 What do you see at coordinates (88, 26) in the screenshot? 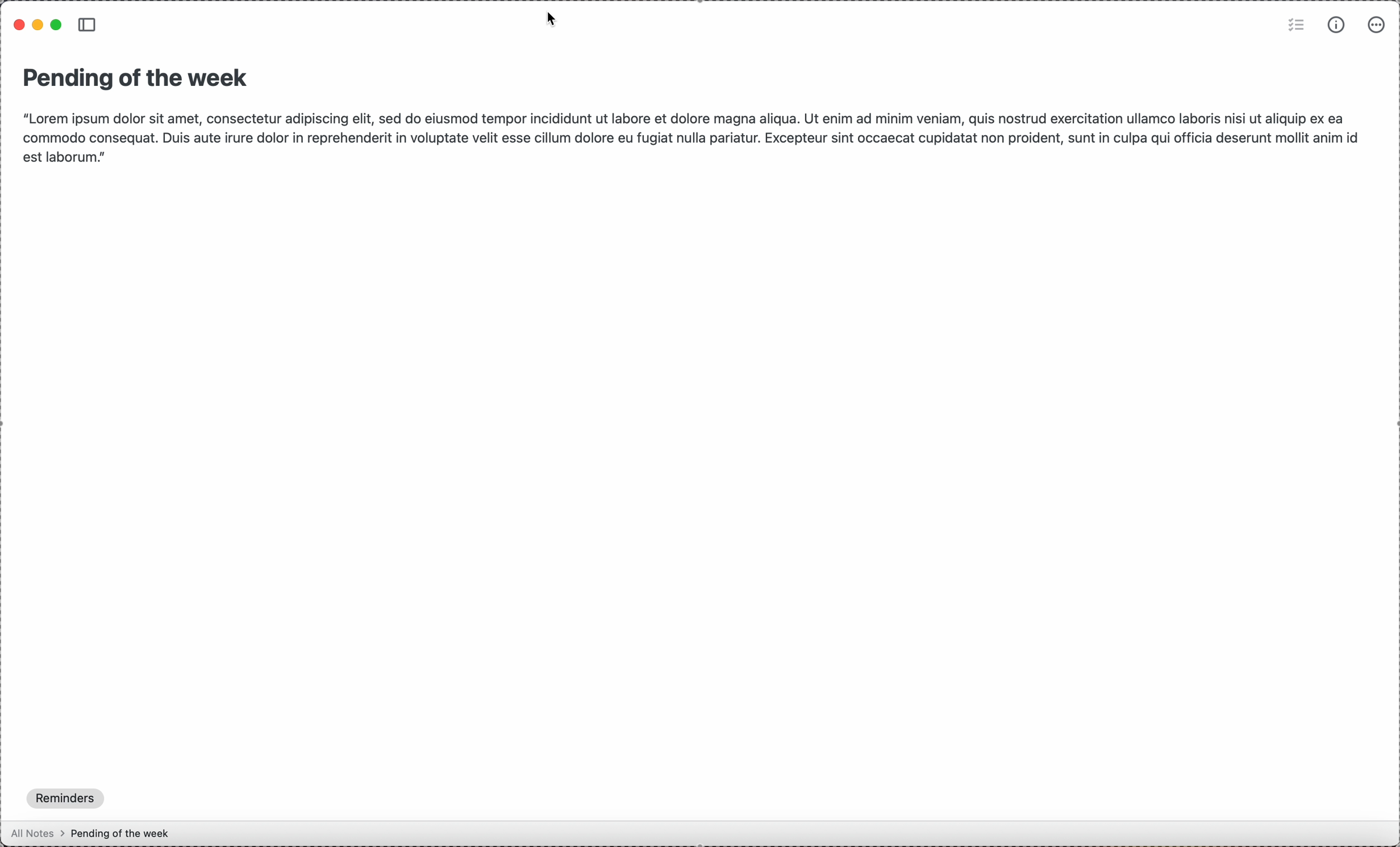
I see `click on toggle sidebar` at bounding box center [88, 26].